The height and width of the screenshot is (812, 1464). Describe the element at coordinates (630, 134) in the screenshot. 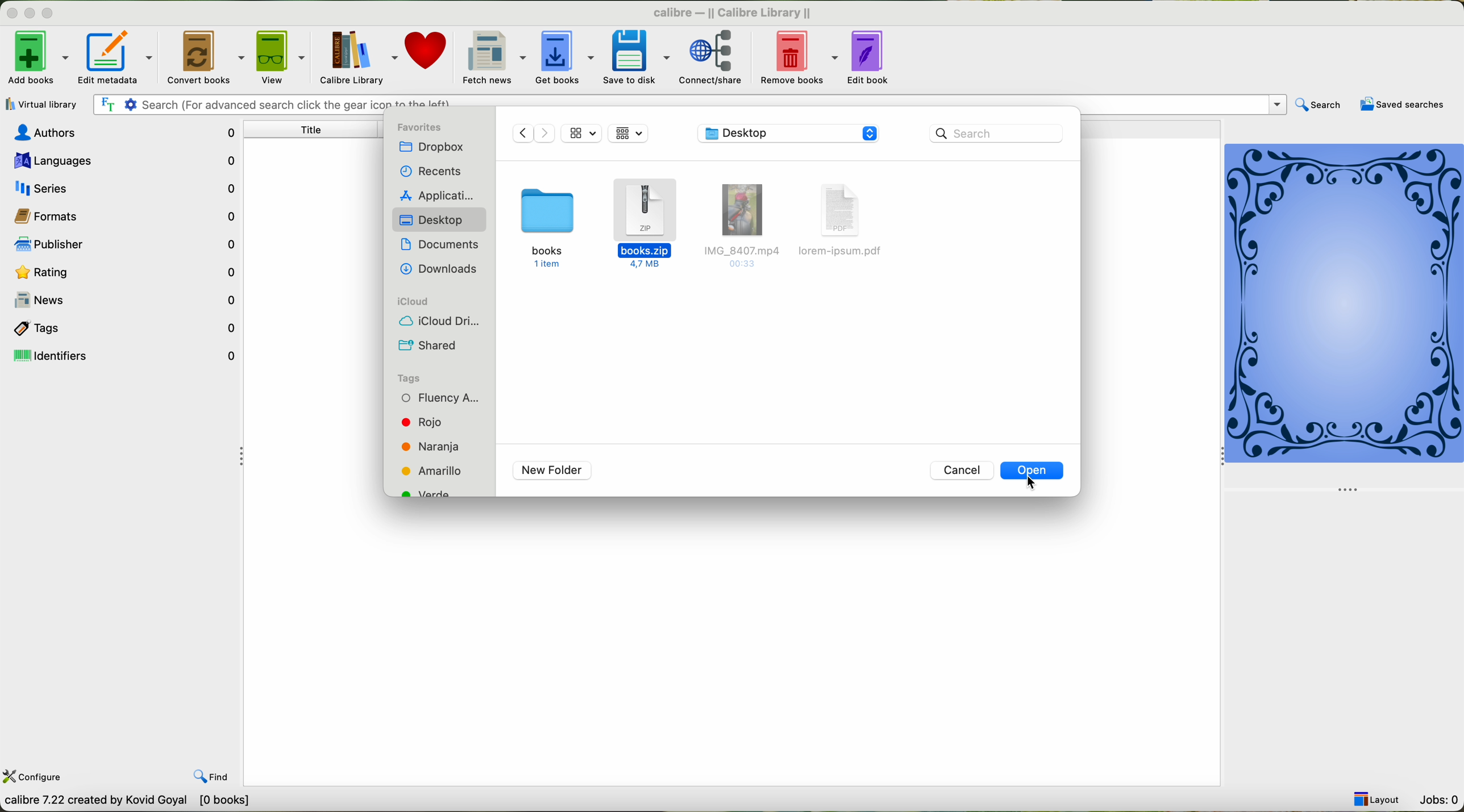

I see `icon` at that location.